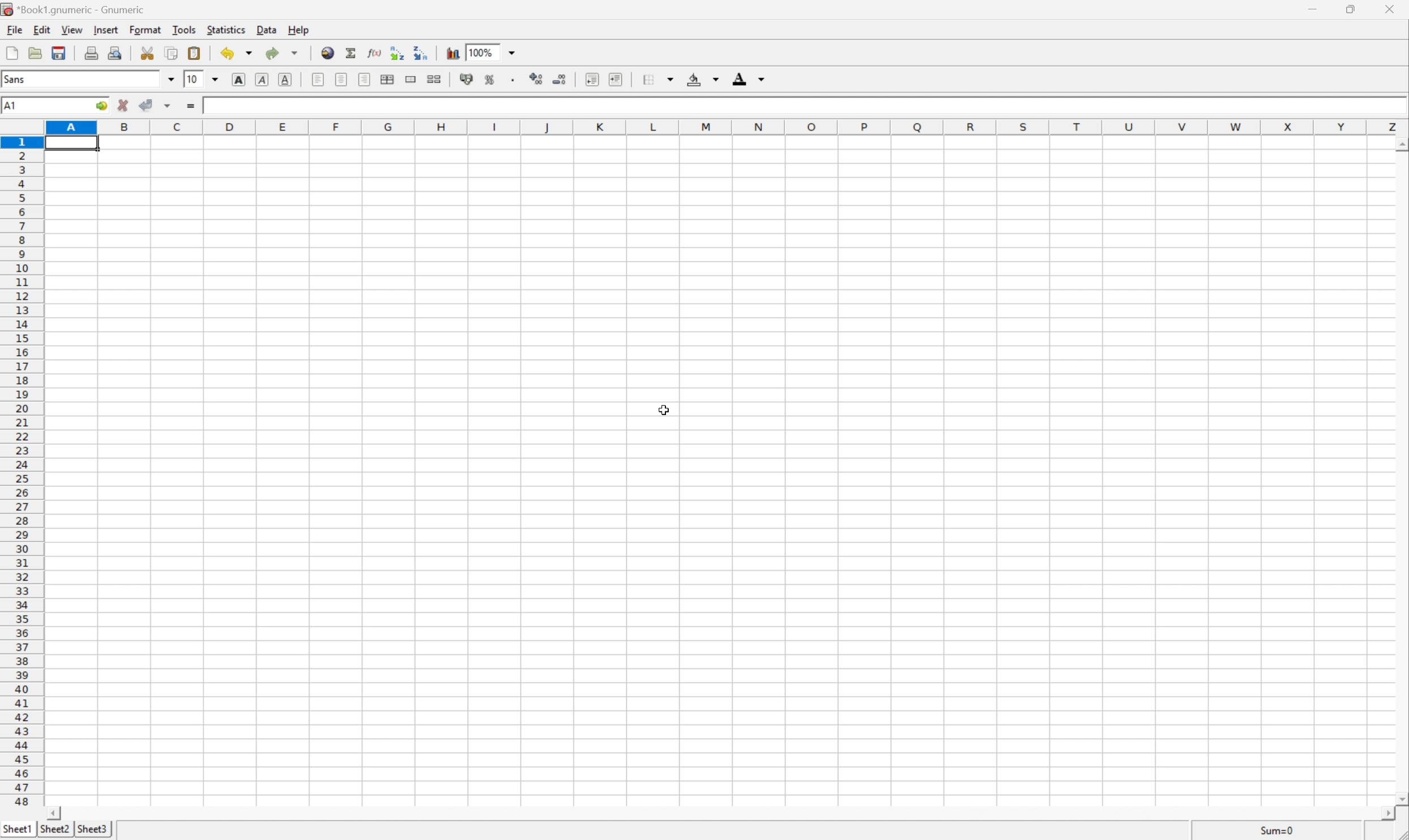 The image size is (1409, 840). What do you see at coordinates (328, 53) in the screenshot?
I see `Insert a hyperlink` at bounding box center [328, 53].